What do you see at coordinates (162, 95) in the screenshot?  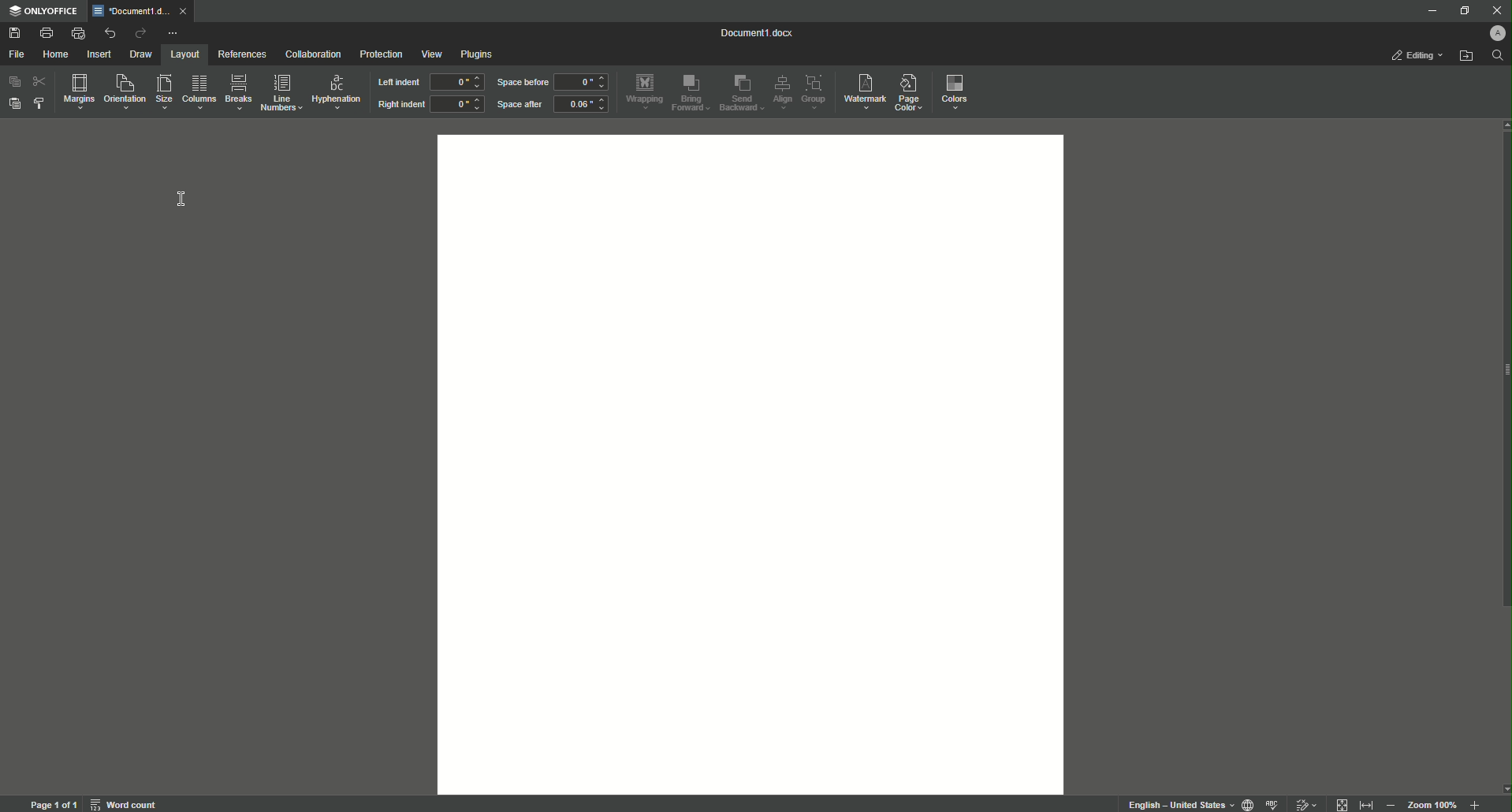 I see `Size` at bounding box center [162, 95].